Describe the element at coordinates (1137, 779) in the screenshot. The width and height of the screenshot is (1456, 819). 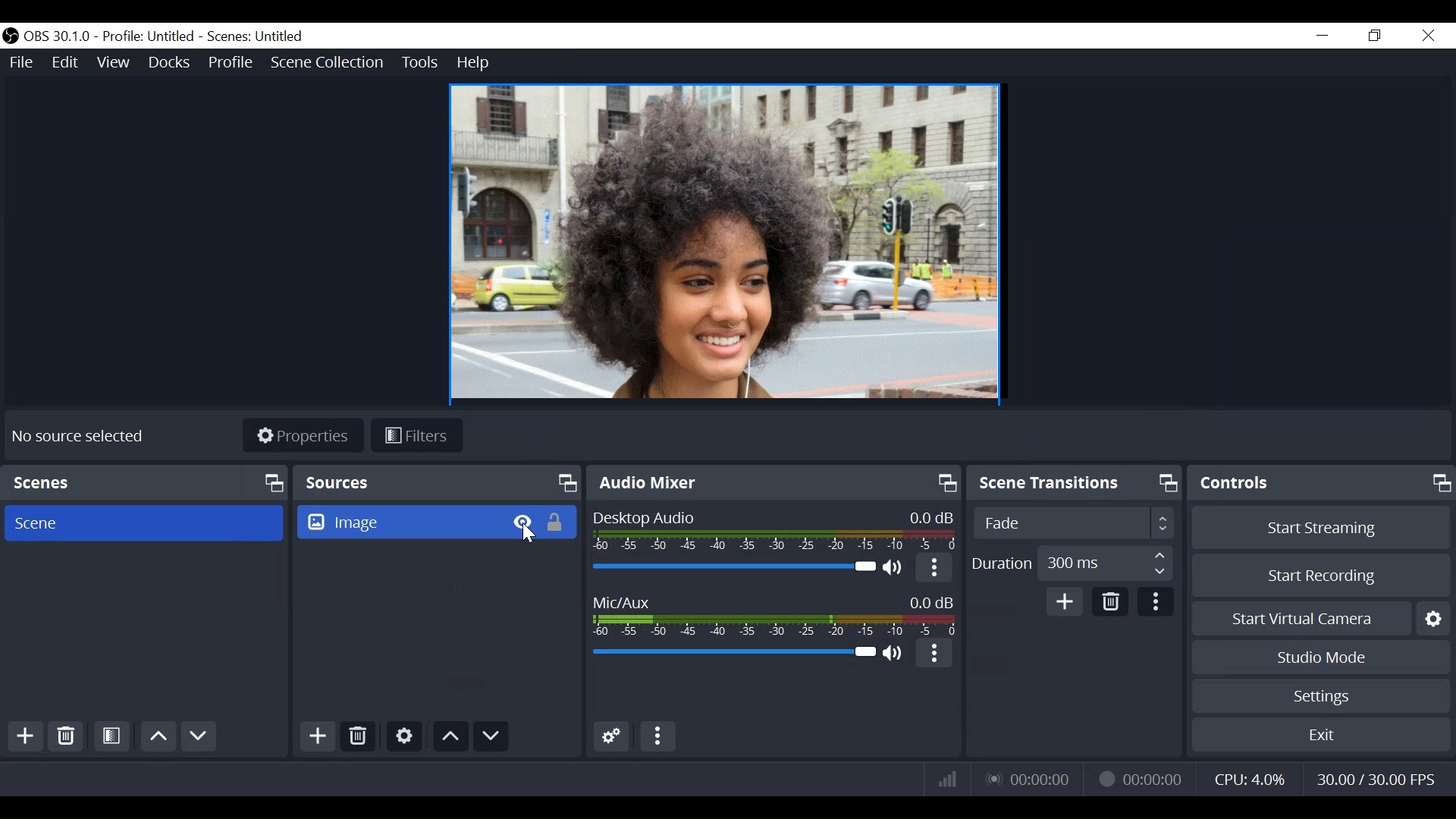
I see `Recording Status` at that location.